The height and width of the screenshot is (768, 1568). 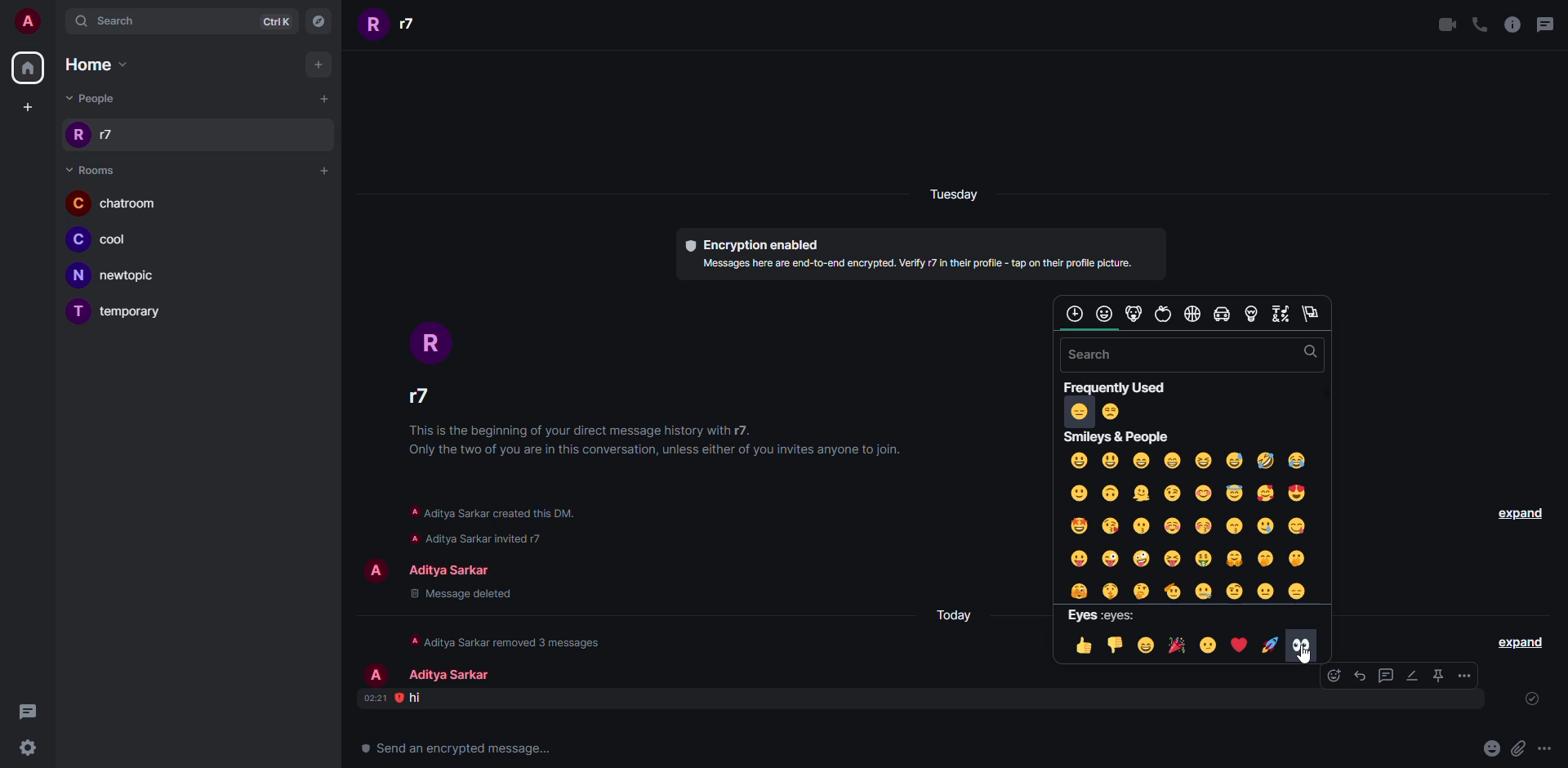 I want to click on category, so click(x=1194, y=315).